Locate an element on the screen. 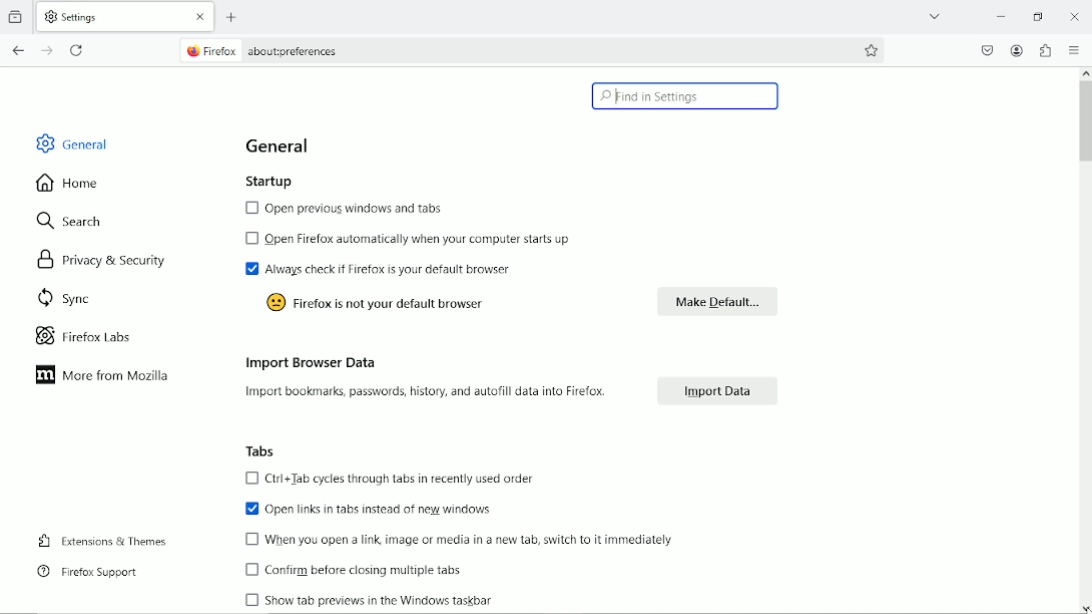 Image resolution: width=1092 pixels, height=614 pixels. New tab is located at coordinates (233, 18).